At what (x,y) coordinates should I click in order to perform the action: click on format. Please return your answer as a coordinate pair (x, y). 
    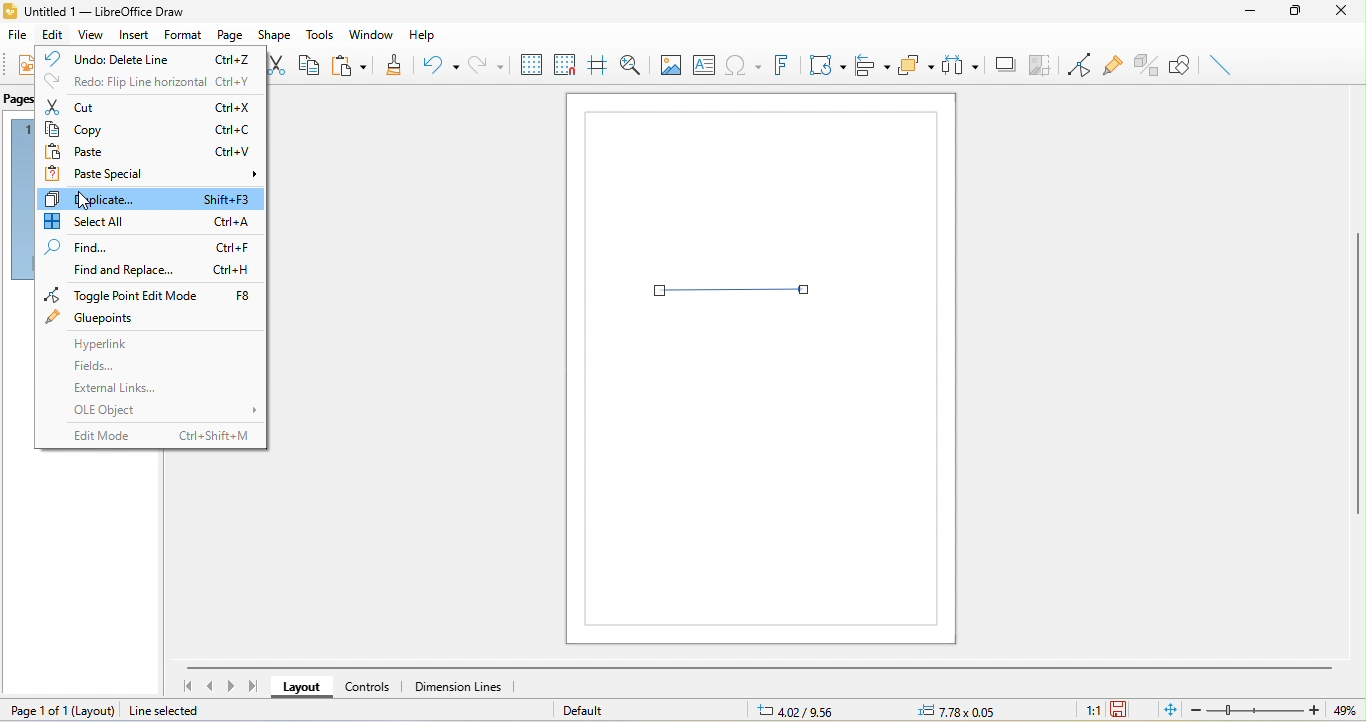
    Looking at the image, I should click on (184, 33).